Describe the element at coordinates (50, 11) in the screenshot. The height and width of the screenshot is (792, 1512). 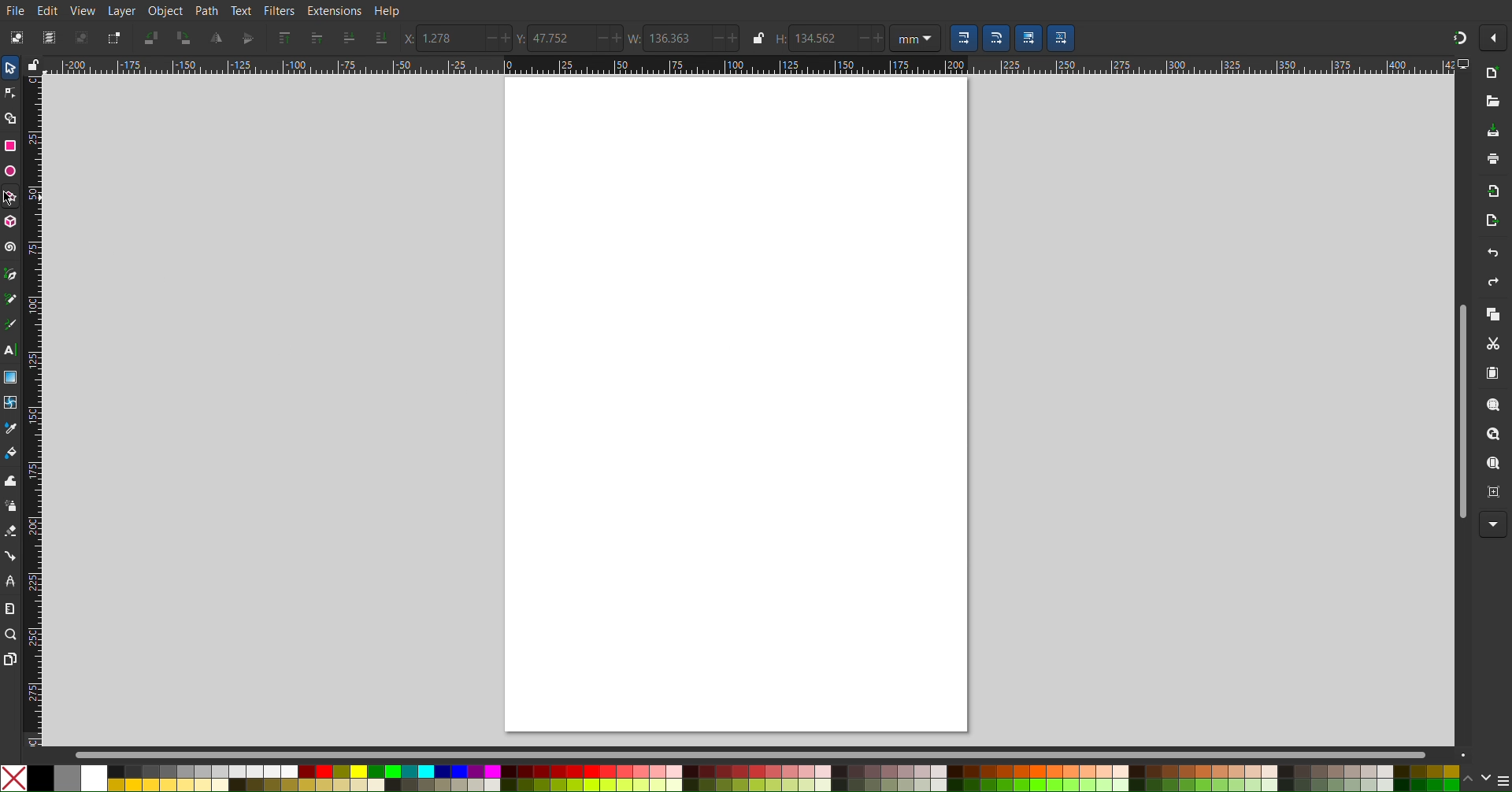
I see `Edit` at that location.